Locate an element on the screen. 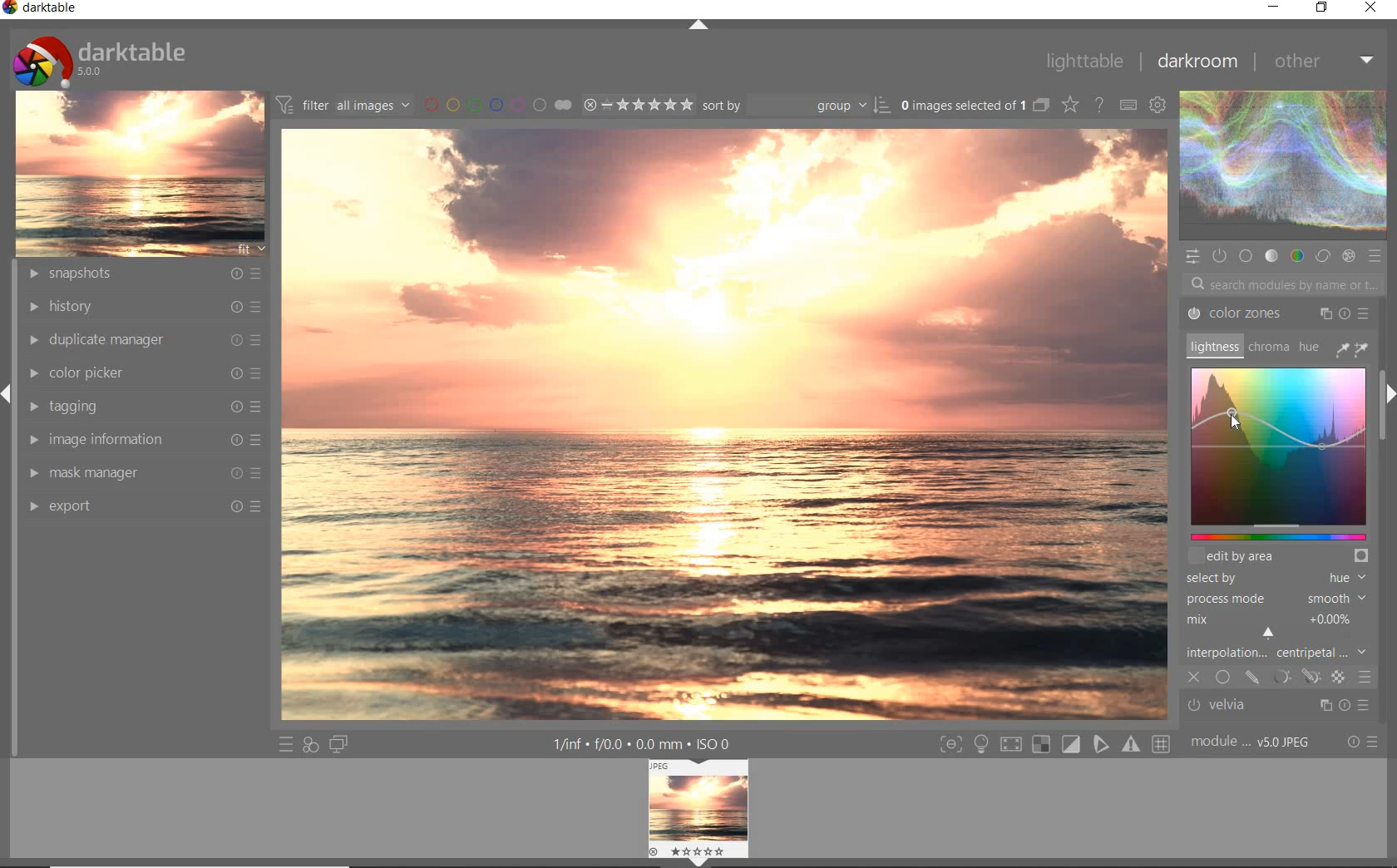 This screenshot has width=1397, height=868. QUICK ACCESS FOR APPLYING ANY OF YOUR STYLE is located at coordinates (309, 746).